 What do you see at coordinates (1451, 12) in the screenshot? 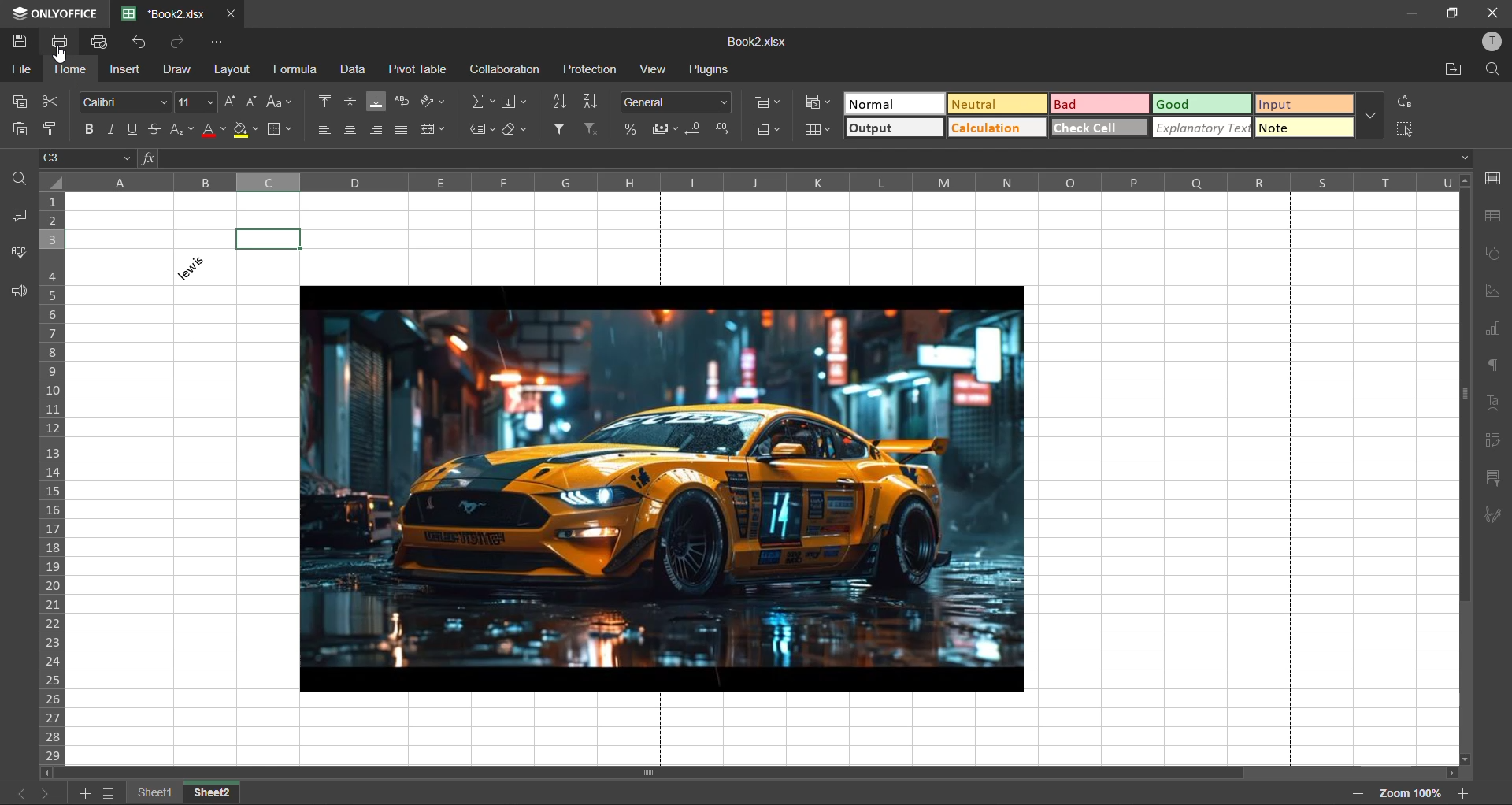
I see `maximize` at bounding box center [1451, 12].